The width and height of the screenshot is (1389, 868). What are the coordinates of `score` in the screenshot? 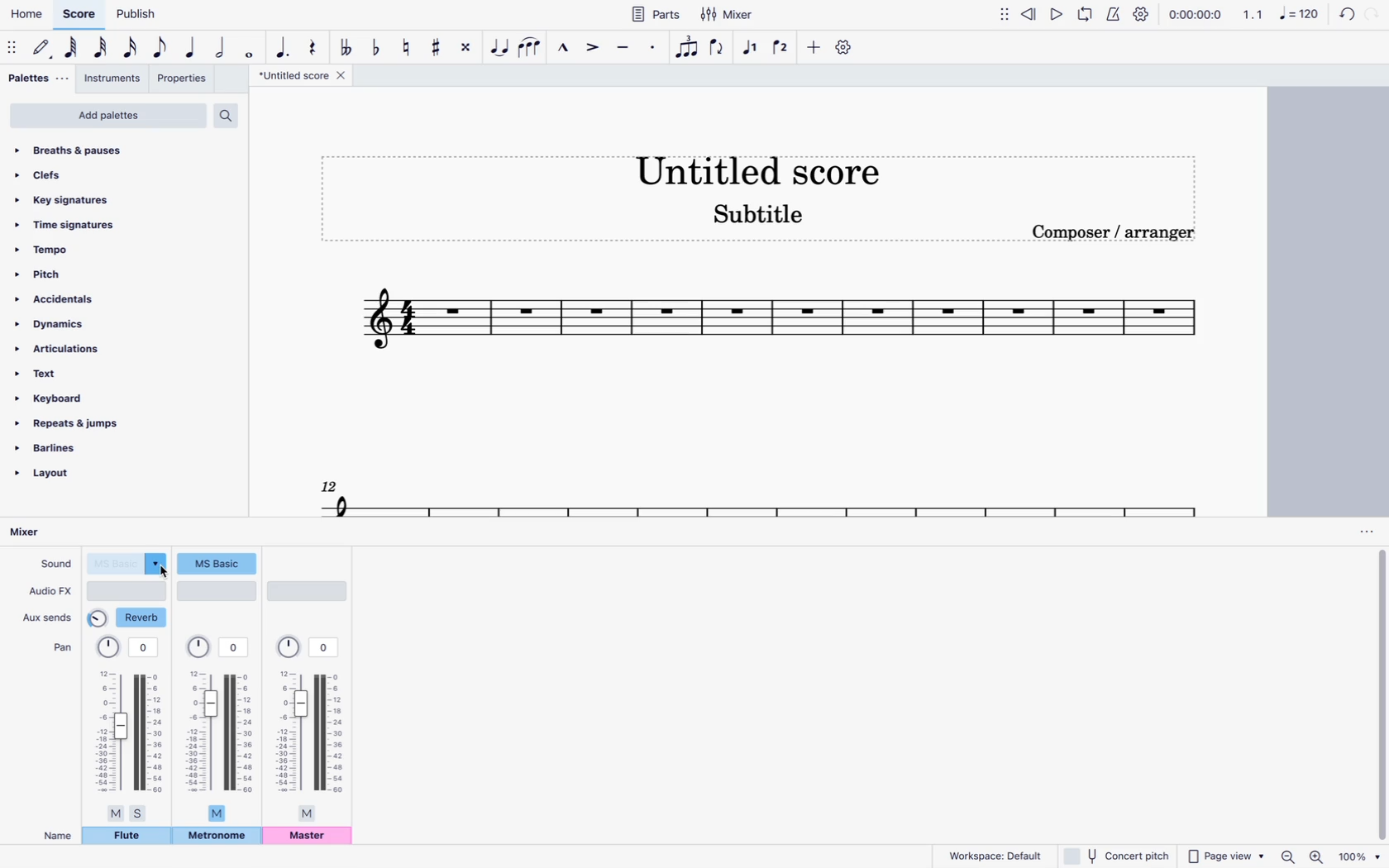 It's located at (79, 15).